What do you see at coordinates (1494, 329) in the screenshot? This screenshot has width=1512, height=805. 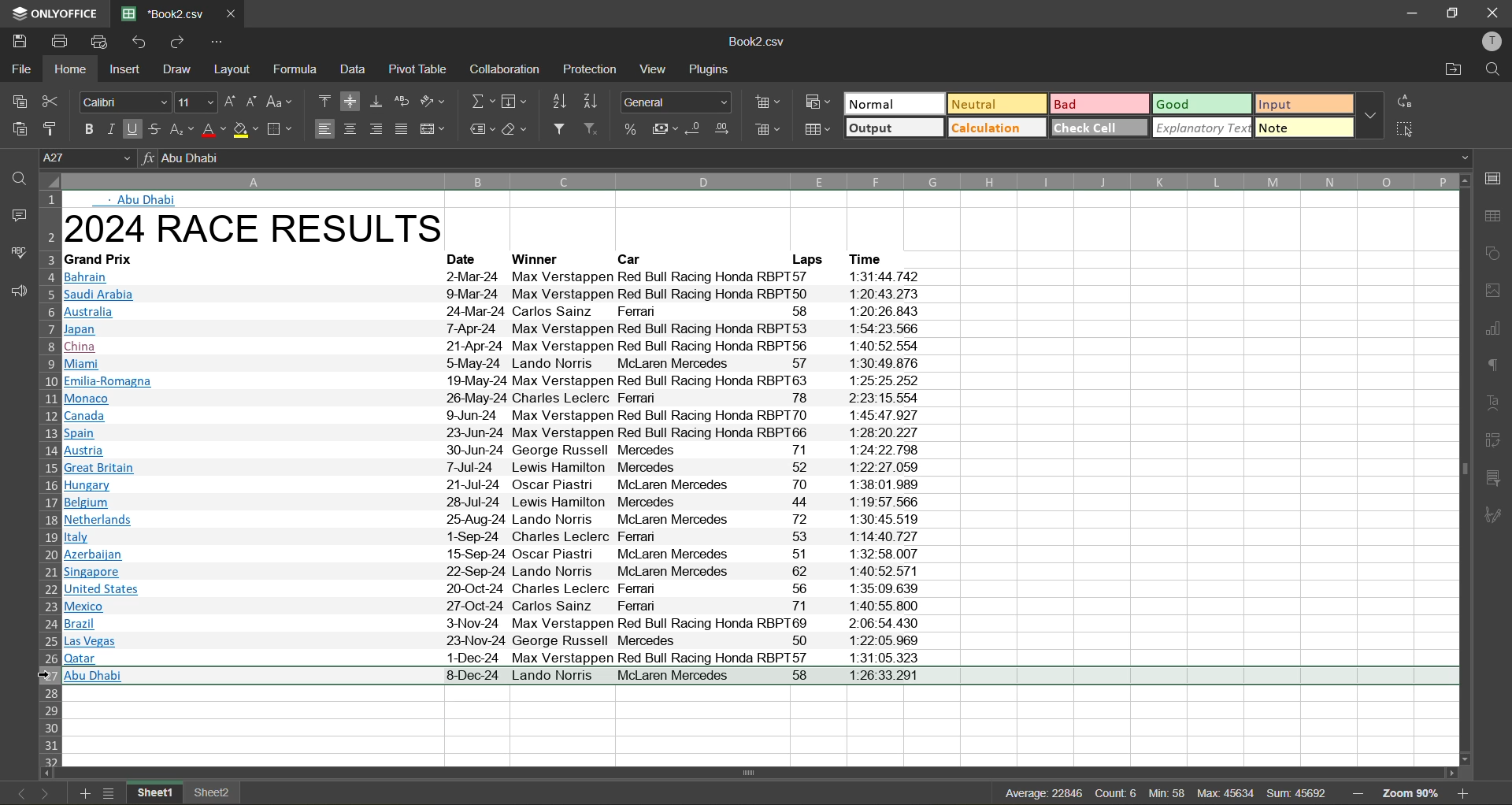 I see `charts` at bounding box center [1494, 329].